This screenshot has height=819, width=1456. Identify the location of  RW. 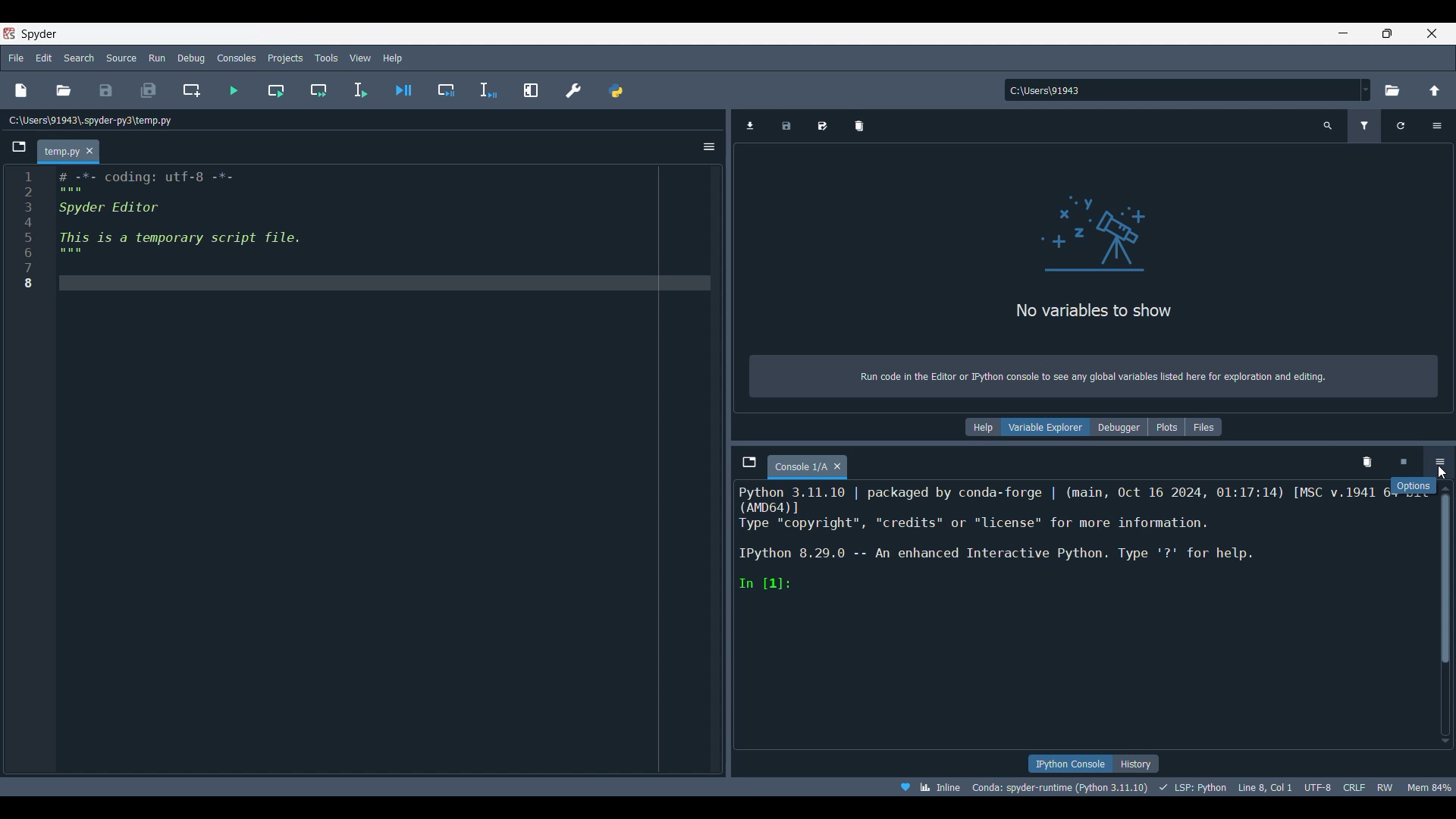
(1384, 786).